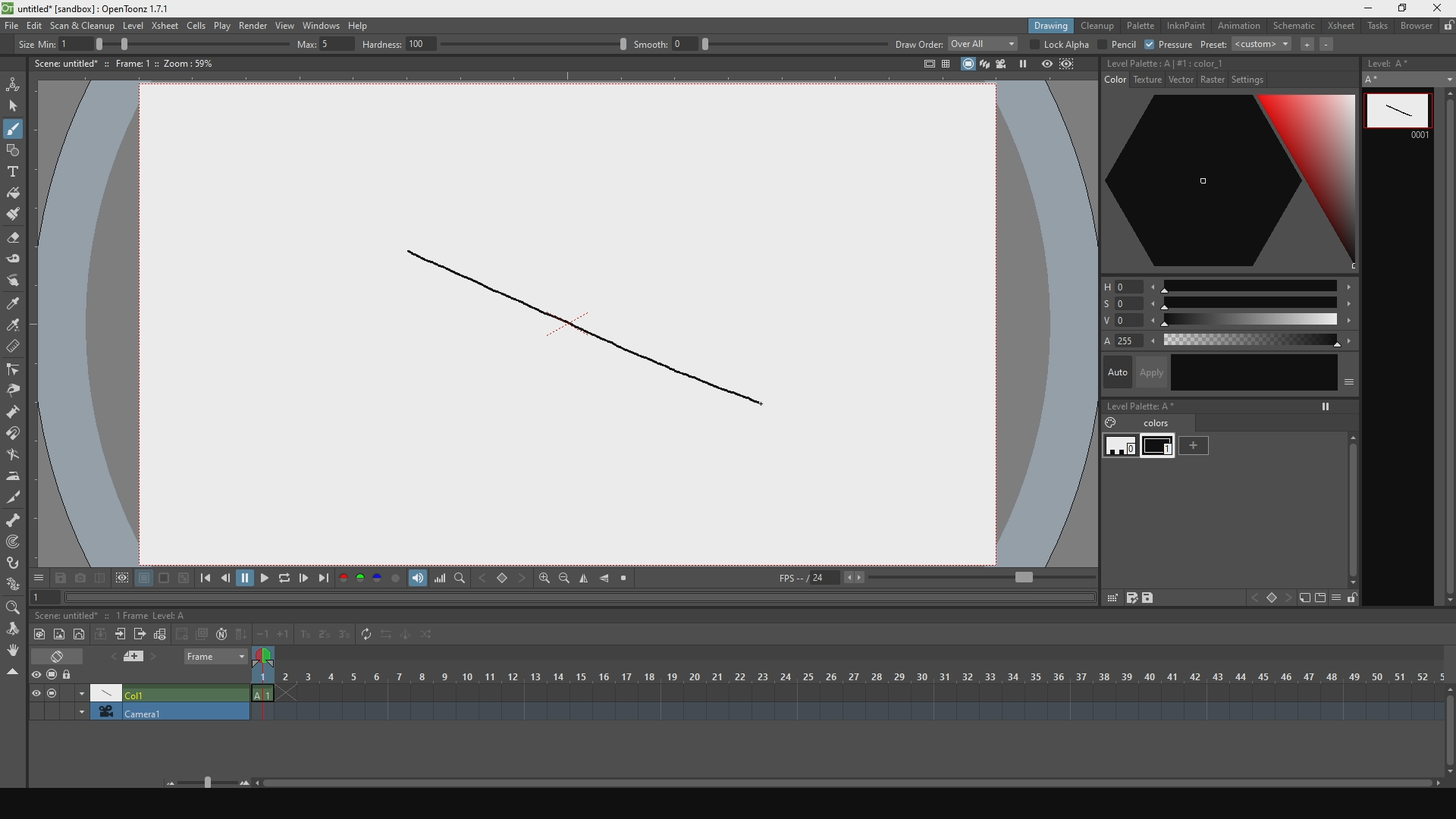 This screenshot has height=819, width=1456. Describe the element at coordinates (13, 519) in the screenshot. I see `scheleton` at that location.